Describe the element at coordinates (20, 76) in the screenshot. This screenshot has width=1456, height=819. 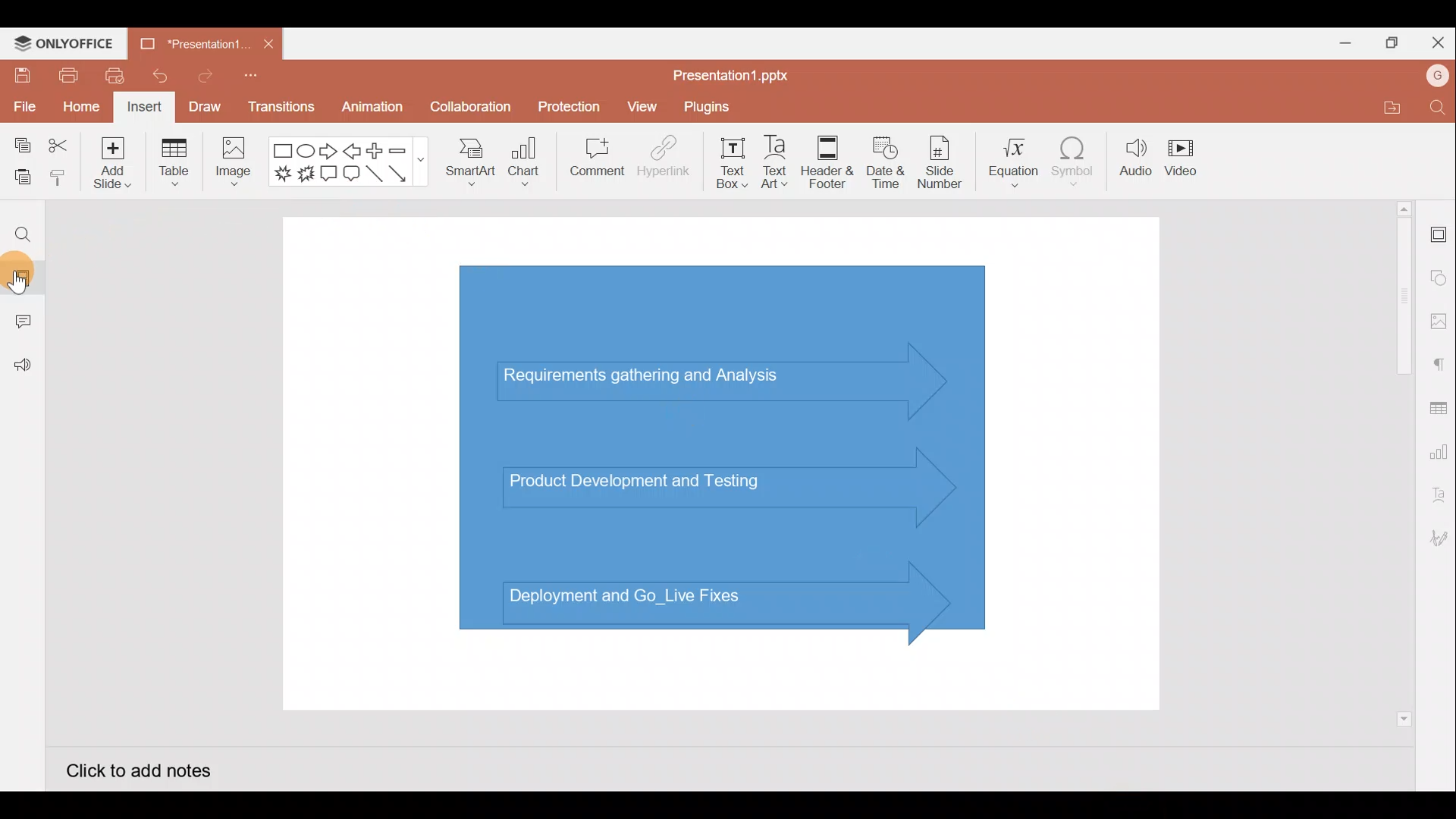
I see `Save` at that location.